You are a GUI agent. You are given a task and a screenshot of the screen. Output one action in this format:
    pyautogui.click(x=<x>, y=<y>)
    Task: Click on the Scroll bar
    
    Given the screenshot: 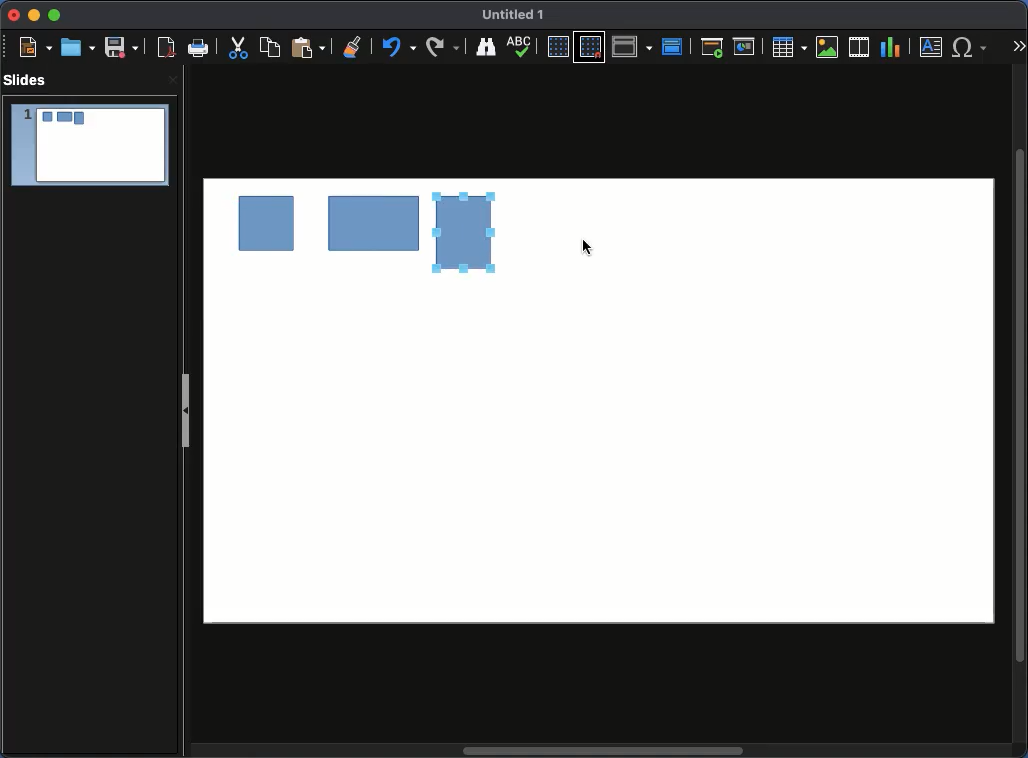 What is the action you would take?
    pyautogui.click(x=607, y=750)
    